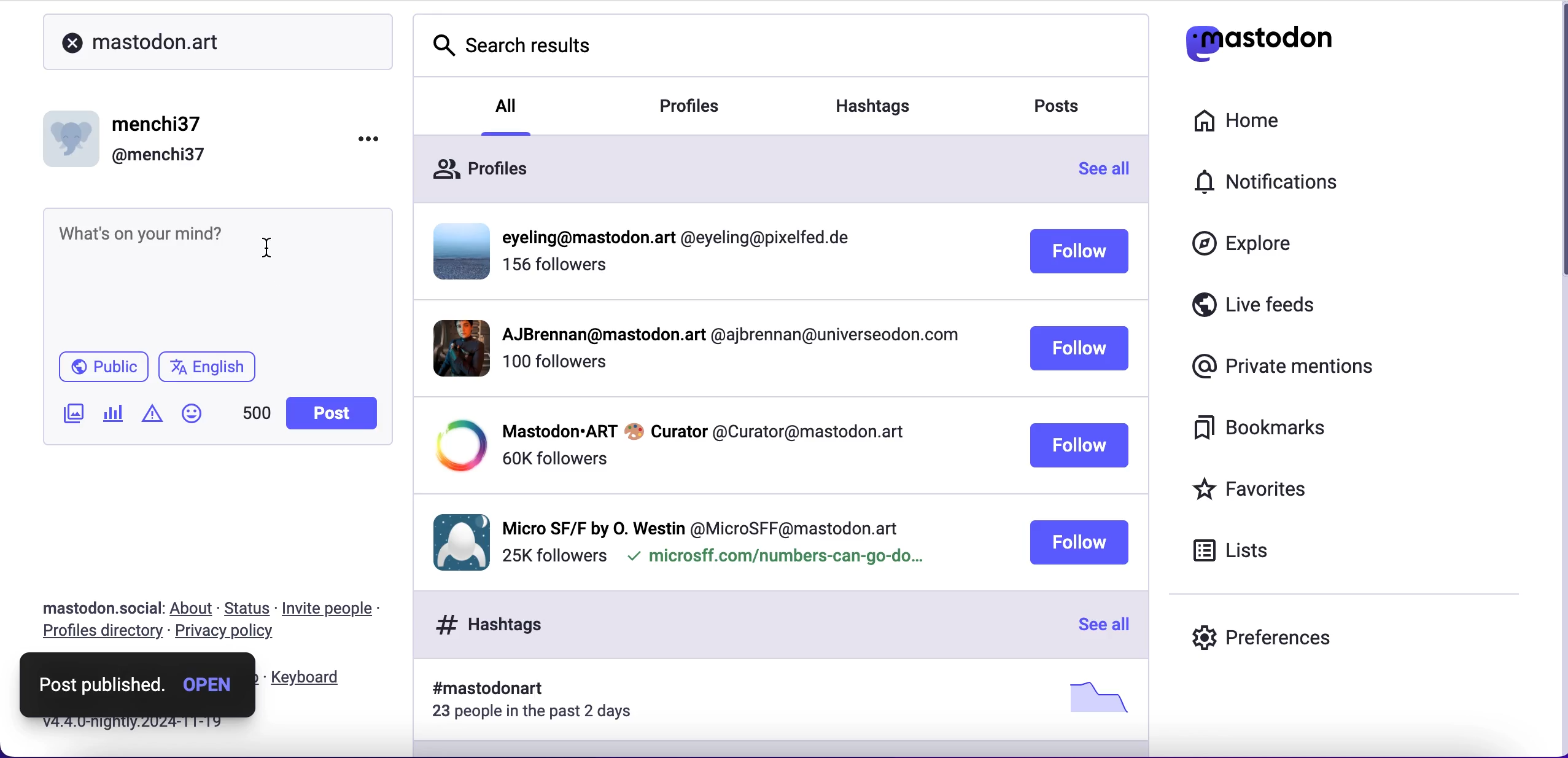  What do you see at coordinates (483, 624) in the screenshot?
I see `hashtags` at bounding box center [483, 624].